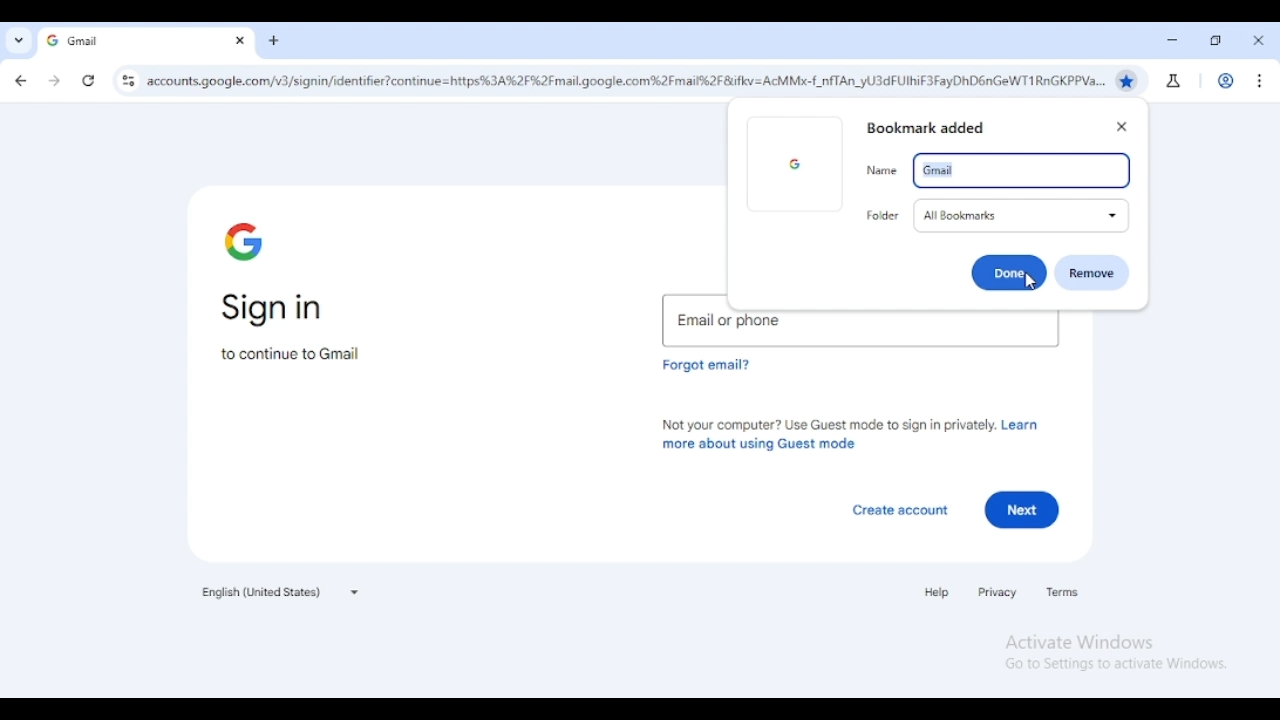 This screenshot has width=1280, height=720. I want to click on google logo, so click(795, 164).